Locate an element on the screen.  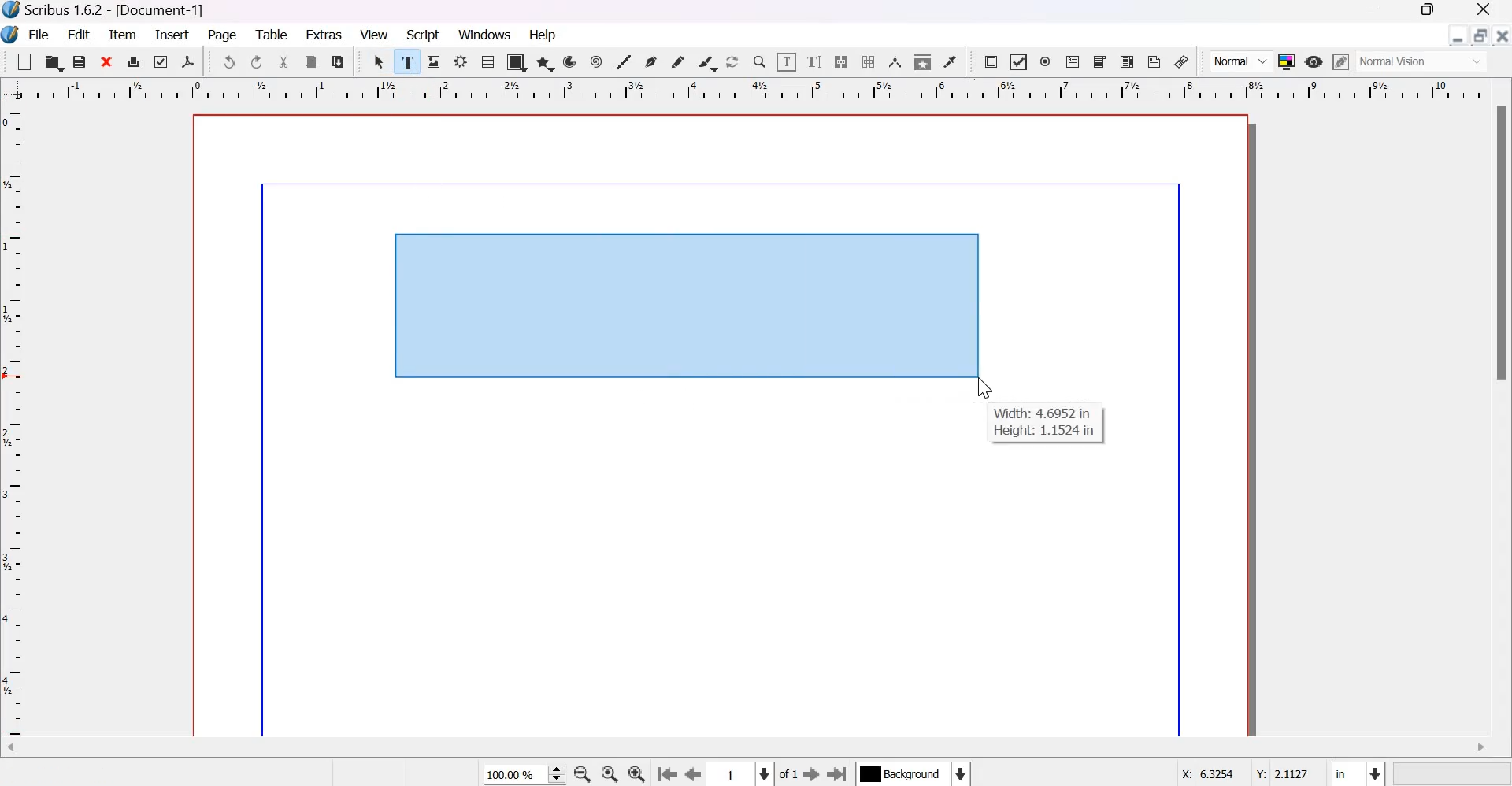
Close is located at coordinates (1484, 11).